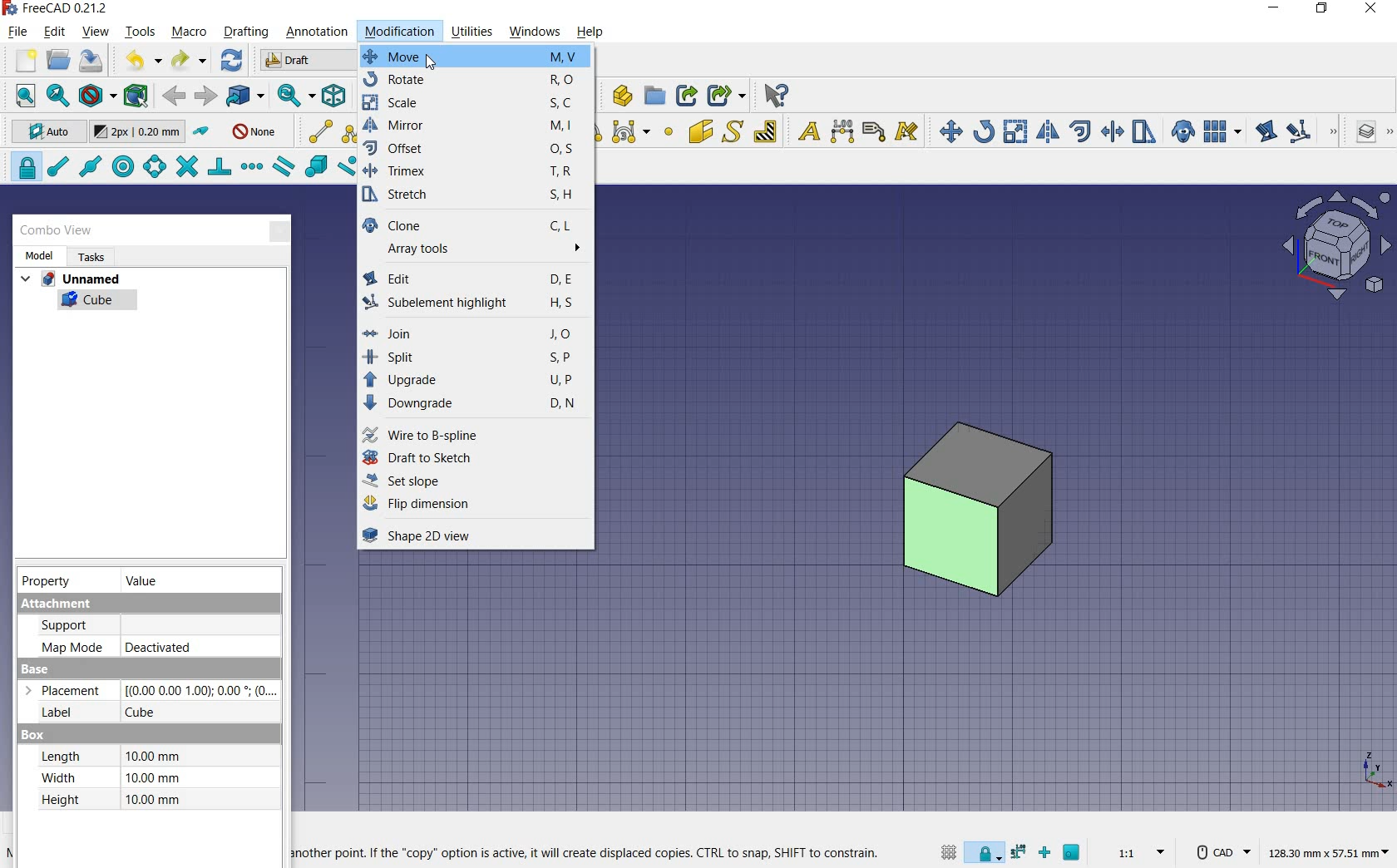 The width and height of the screenshot is (1397, 868). I want to click on property, so click(46, 581).